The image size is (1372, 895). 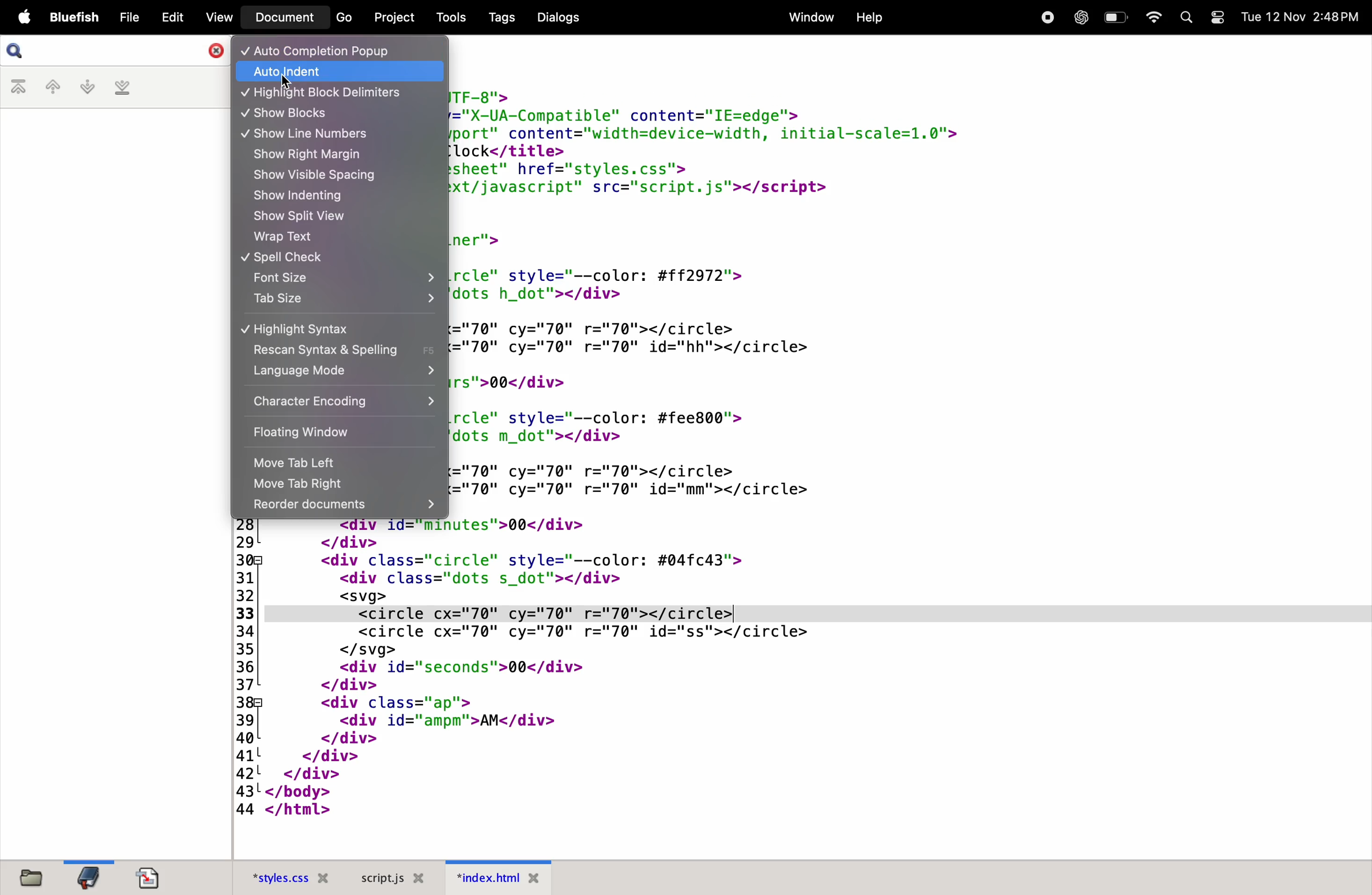 What do you see at coordinates (290, 873) in the screenshot?
I see `style.css` at bounding box center [290, 873].